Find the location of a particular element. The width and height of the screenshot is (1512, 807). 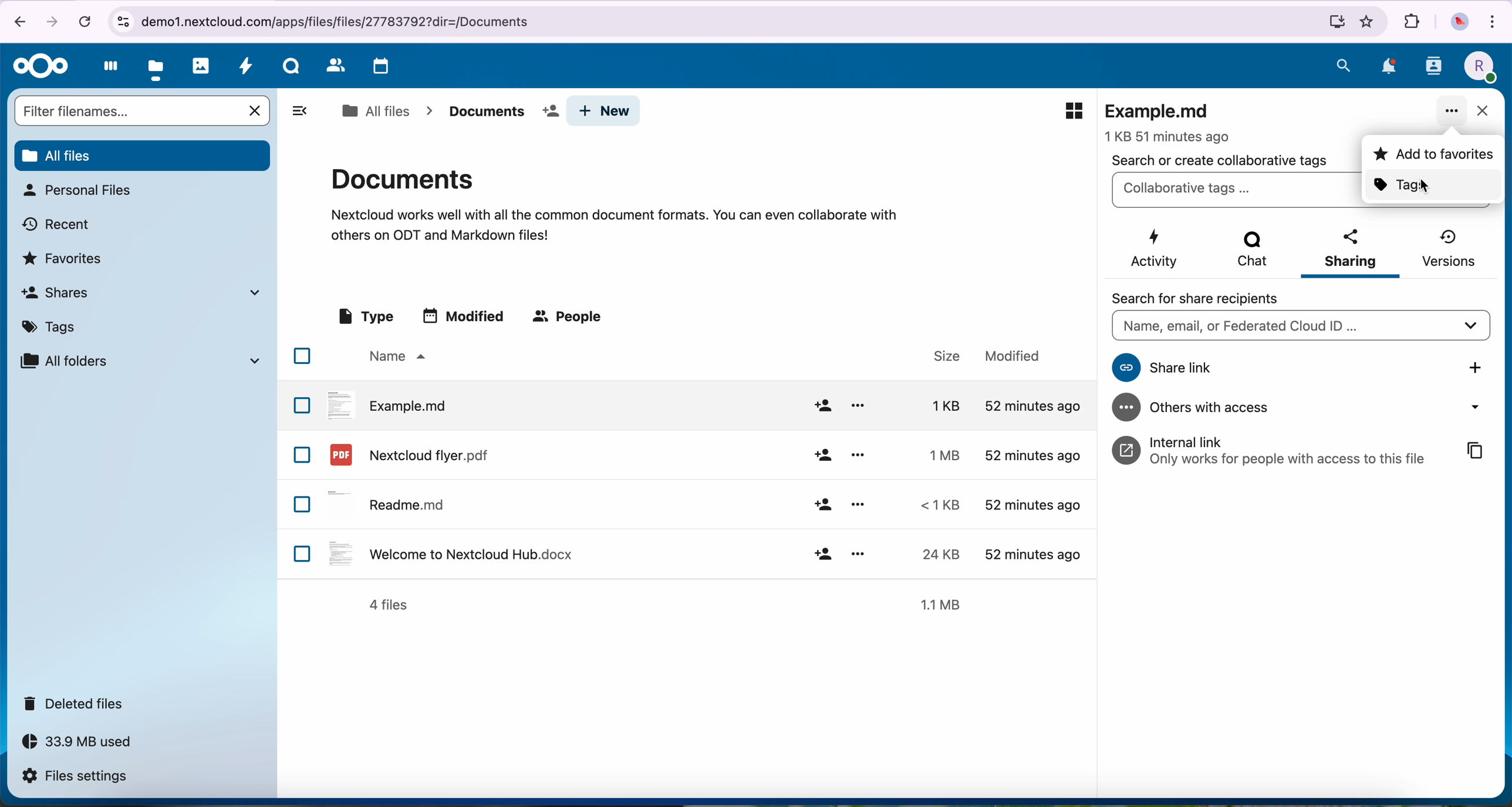

deleted files is located at coordinates (77, 704).